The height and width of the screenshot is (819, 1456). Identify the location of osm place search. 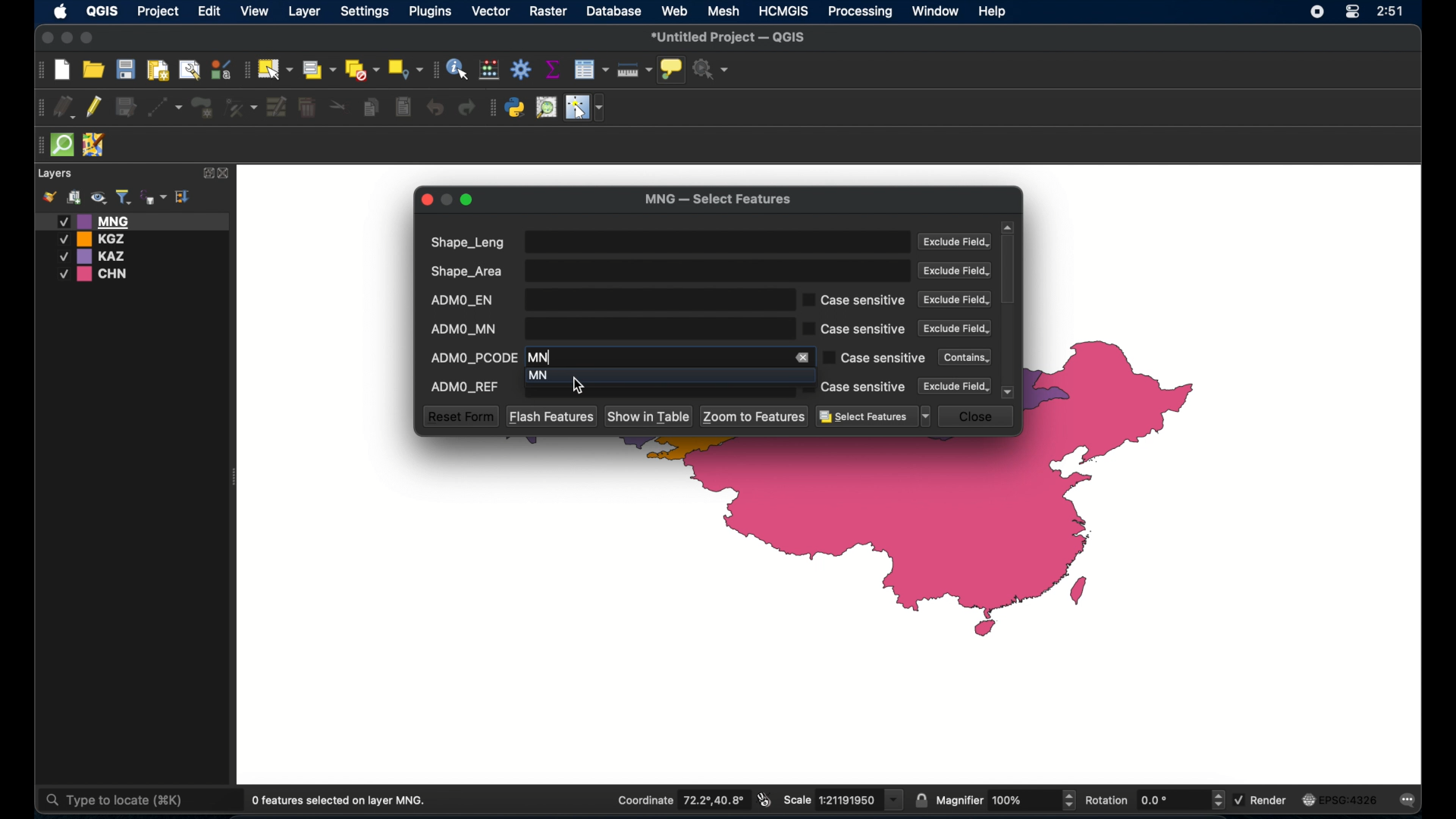
(546, 108).